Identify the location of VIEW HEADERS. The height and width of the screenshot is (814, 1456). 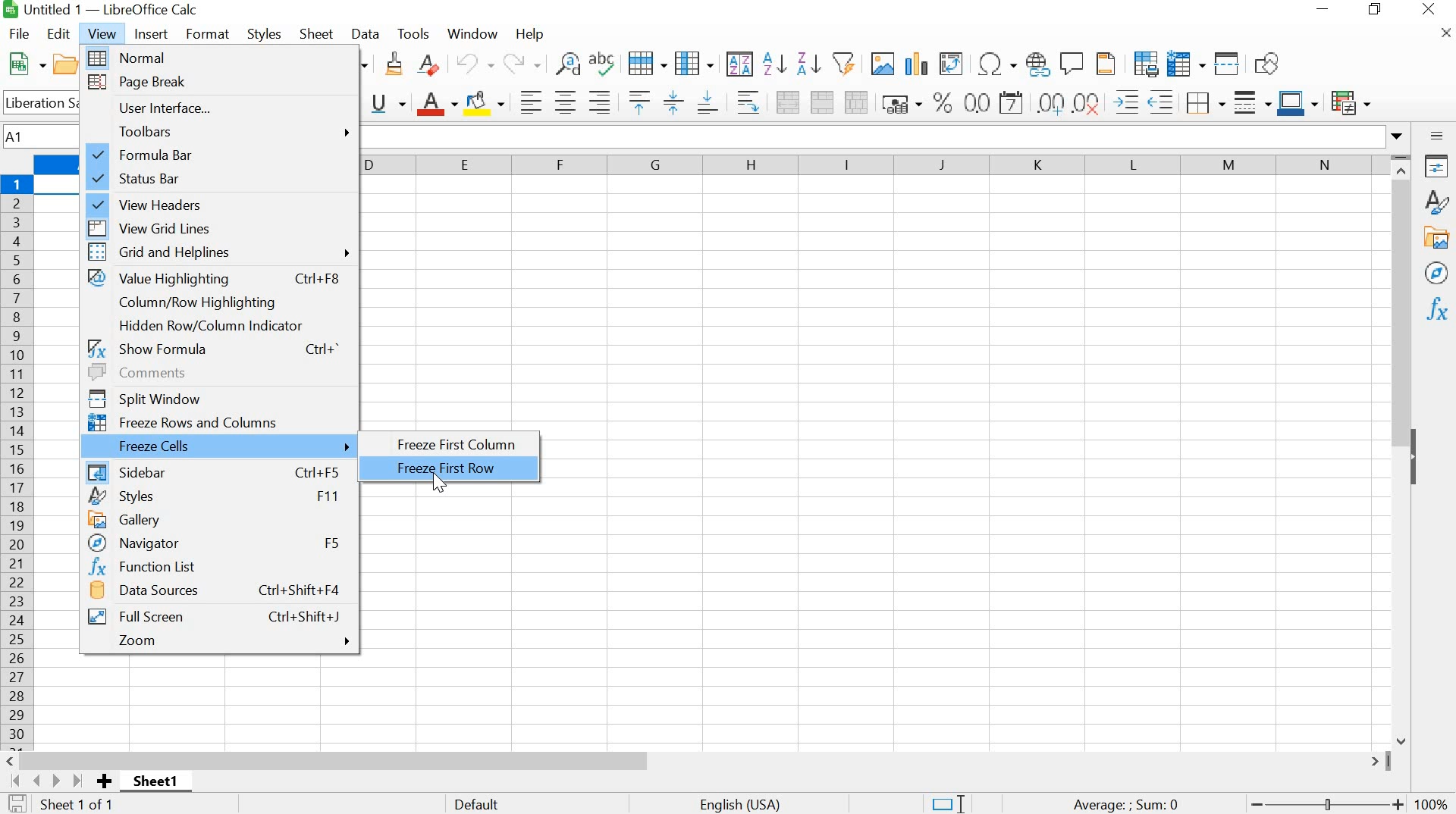
(221, 202).